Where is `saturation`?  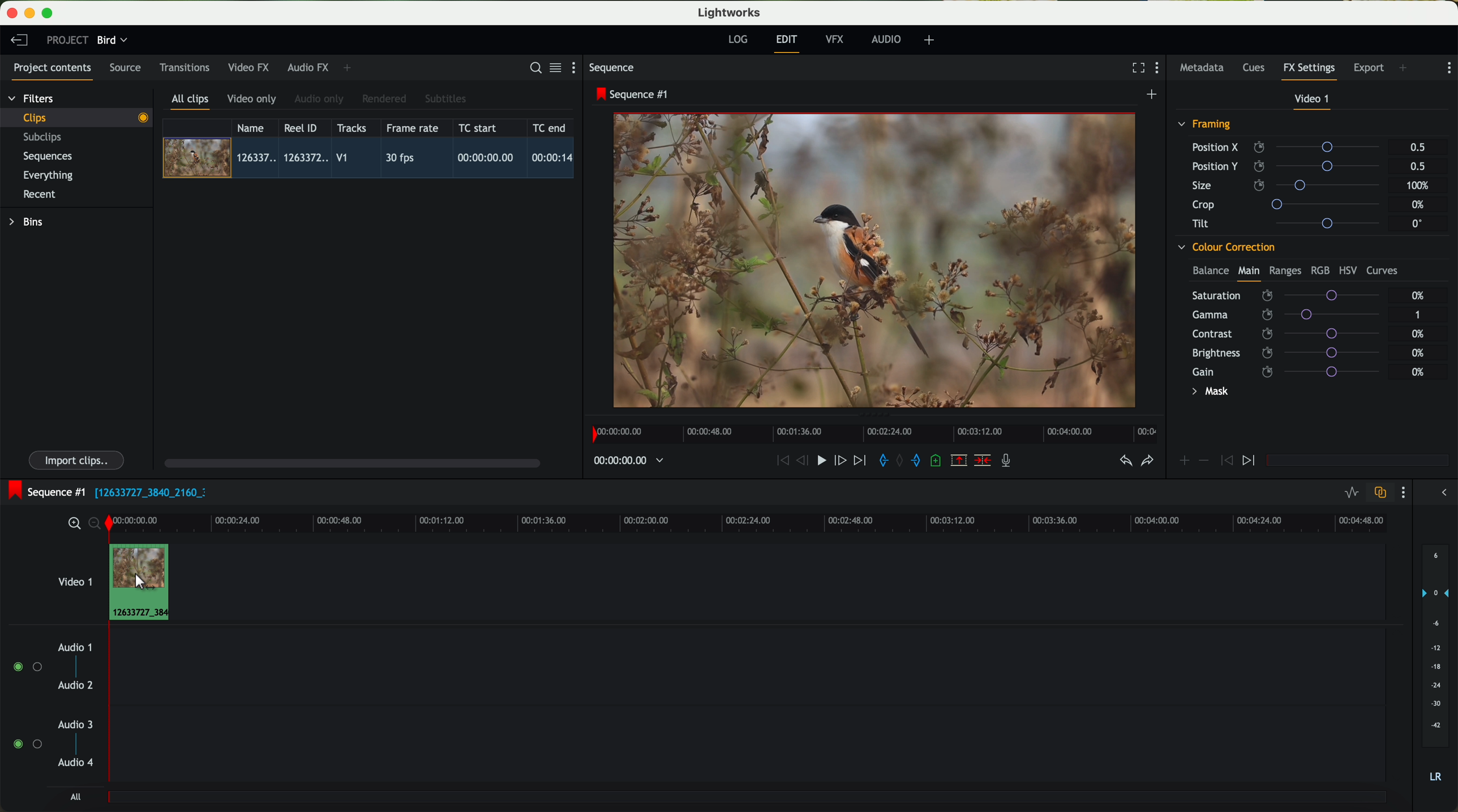
saturation is located at coordinates (1292, 295).